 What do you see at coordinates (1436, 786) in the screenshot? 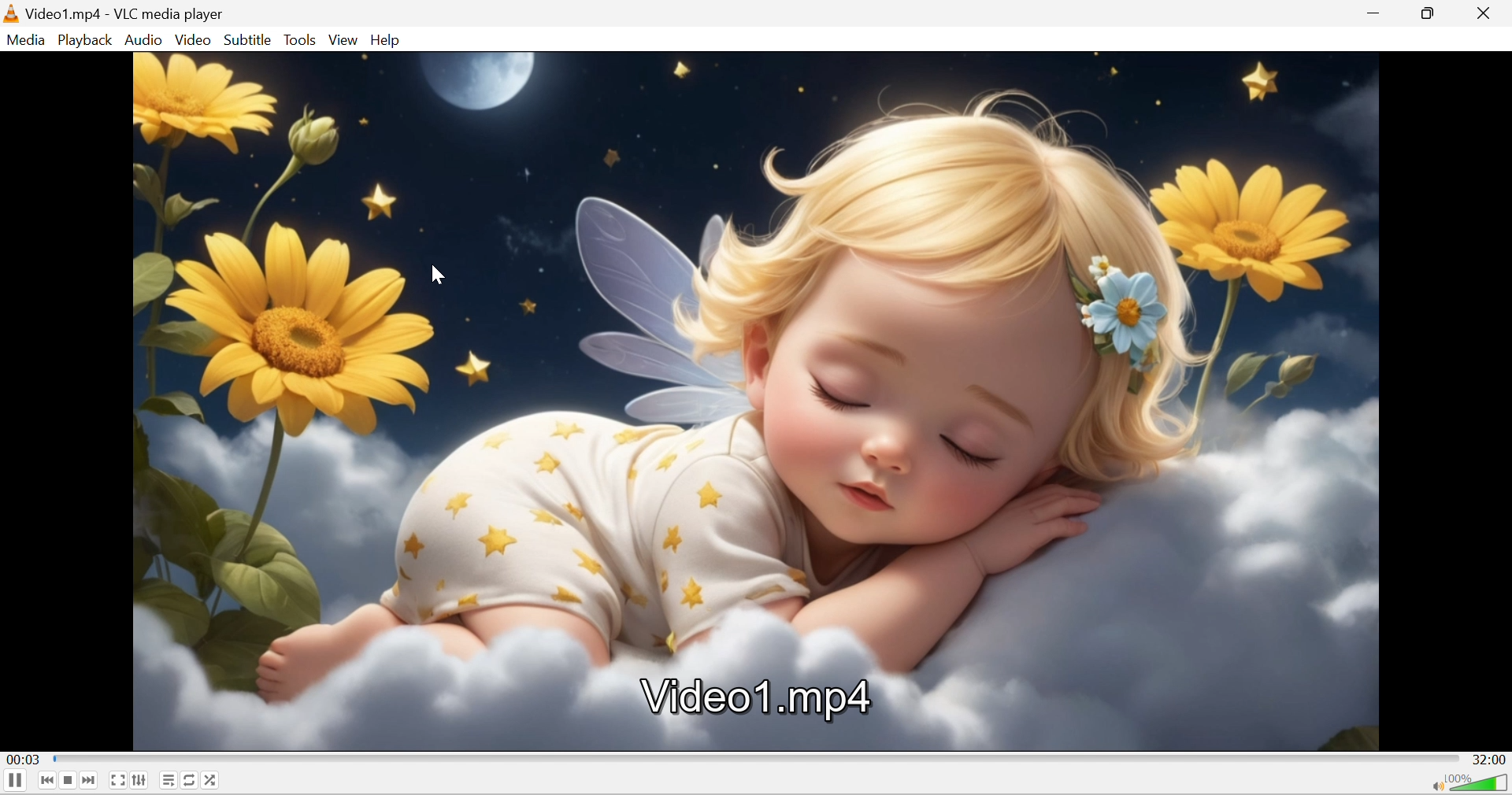
I see `Mute/unmute` at bounding box center [1436, 786].